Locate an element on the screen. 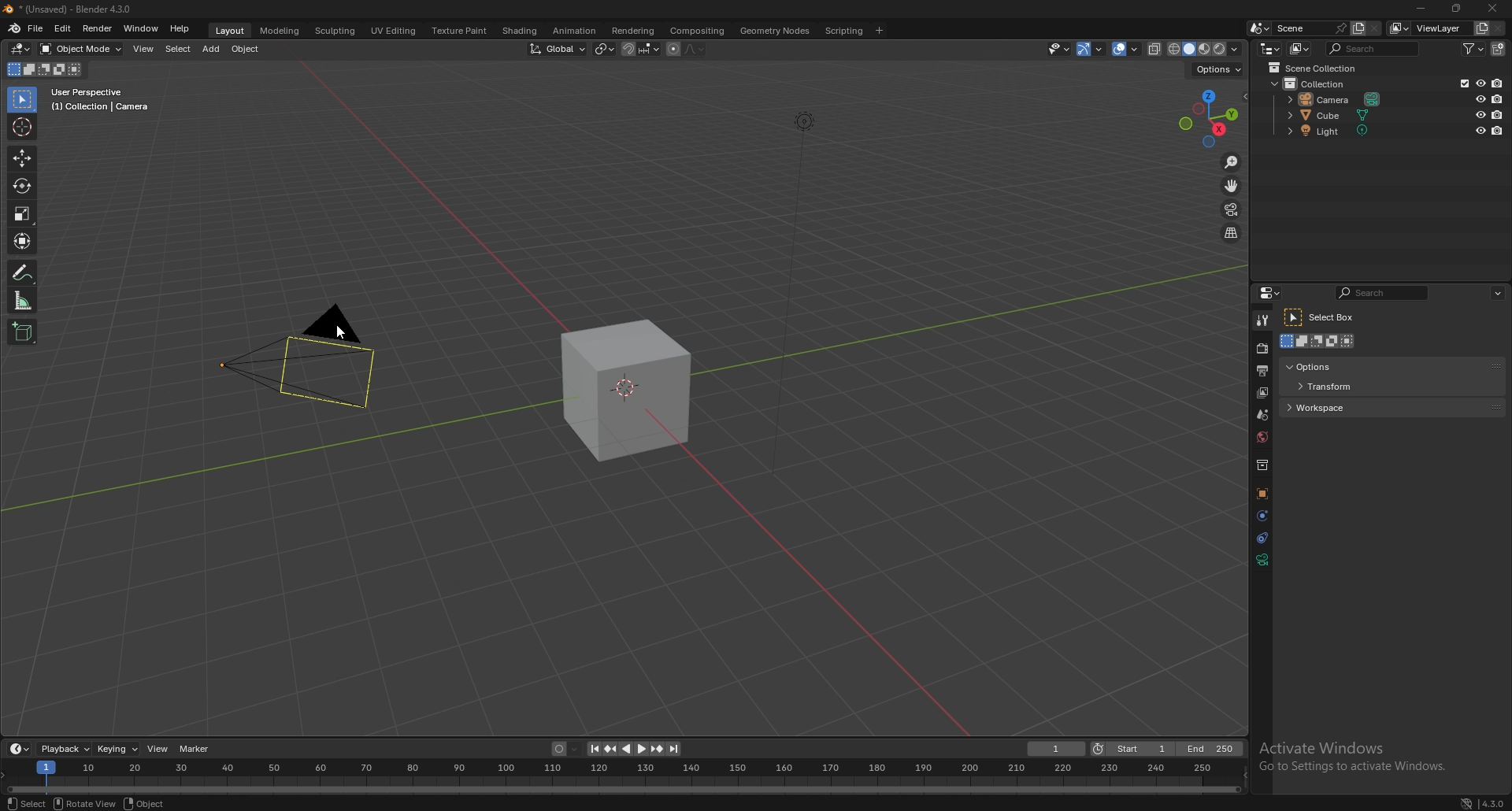   is located at coordinates (1355, 756).